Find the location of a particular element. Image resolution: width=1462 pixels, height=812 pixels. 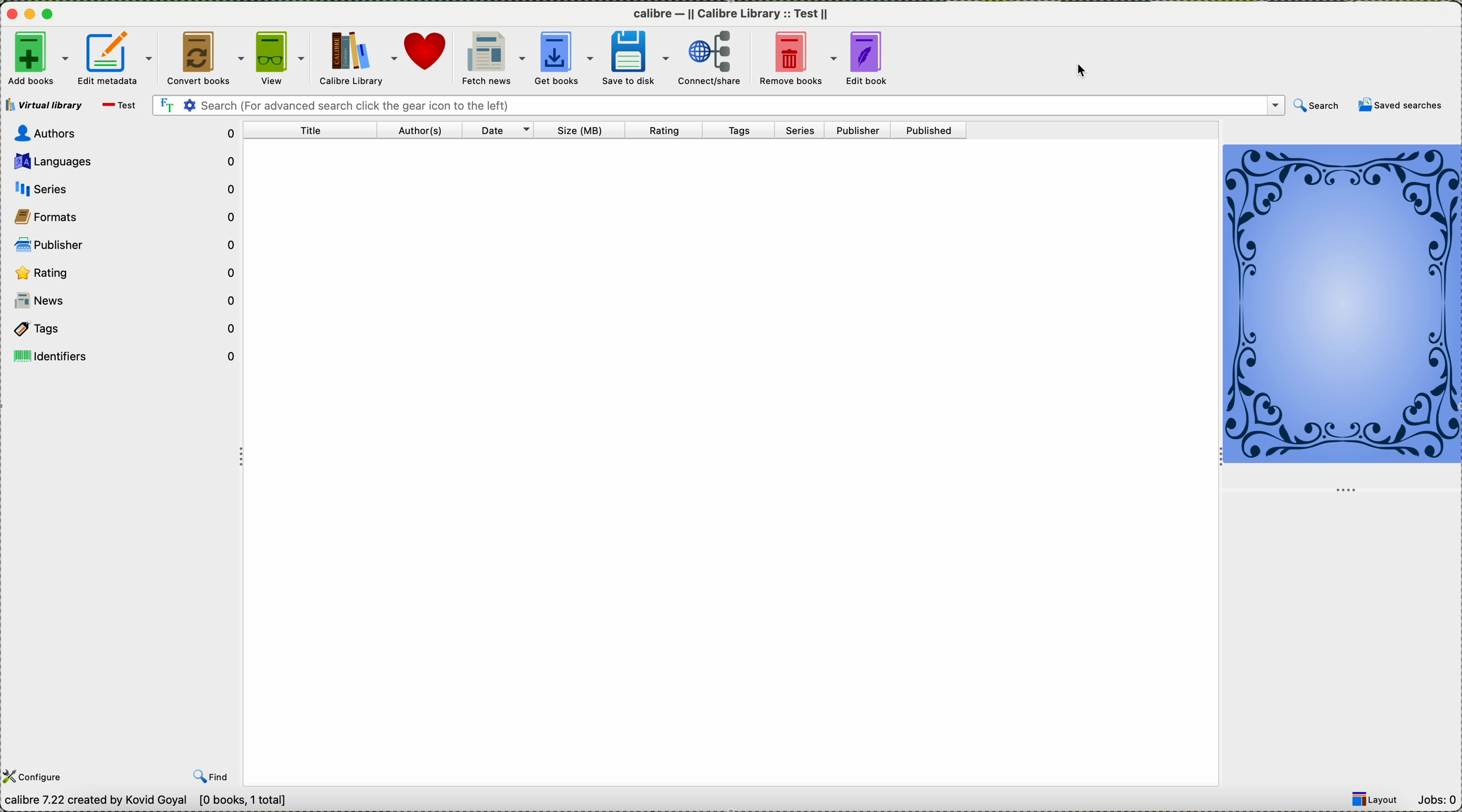

fletch news is located at coordinates (493, 58).